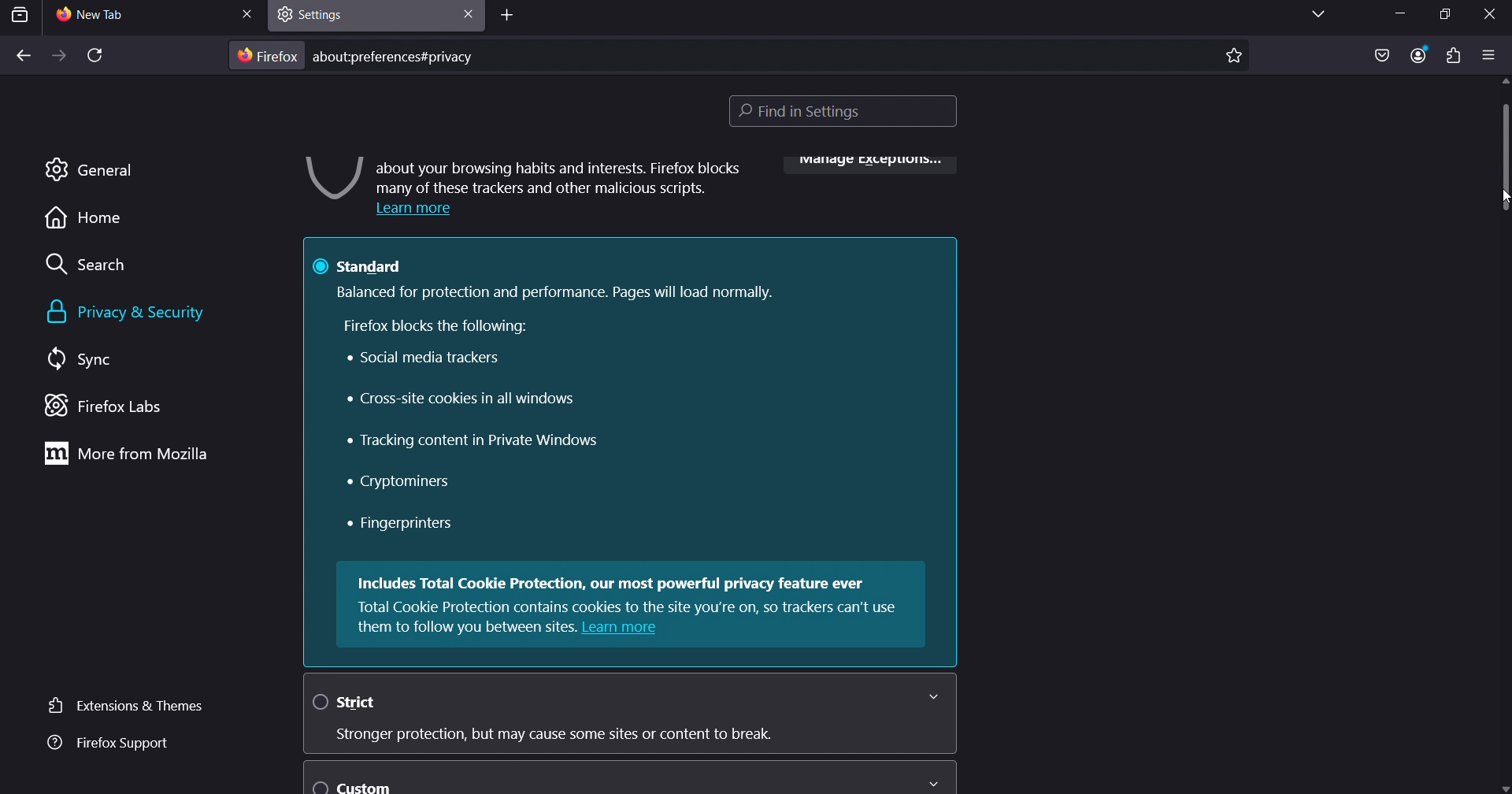  I want to click on search tab, so click(20, 15).